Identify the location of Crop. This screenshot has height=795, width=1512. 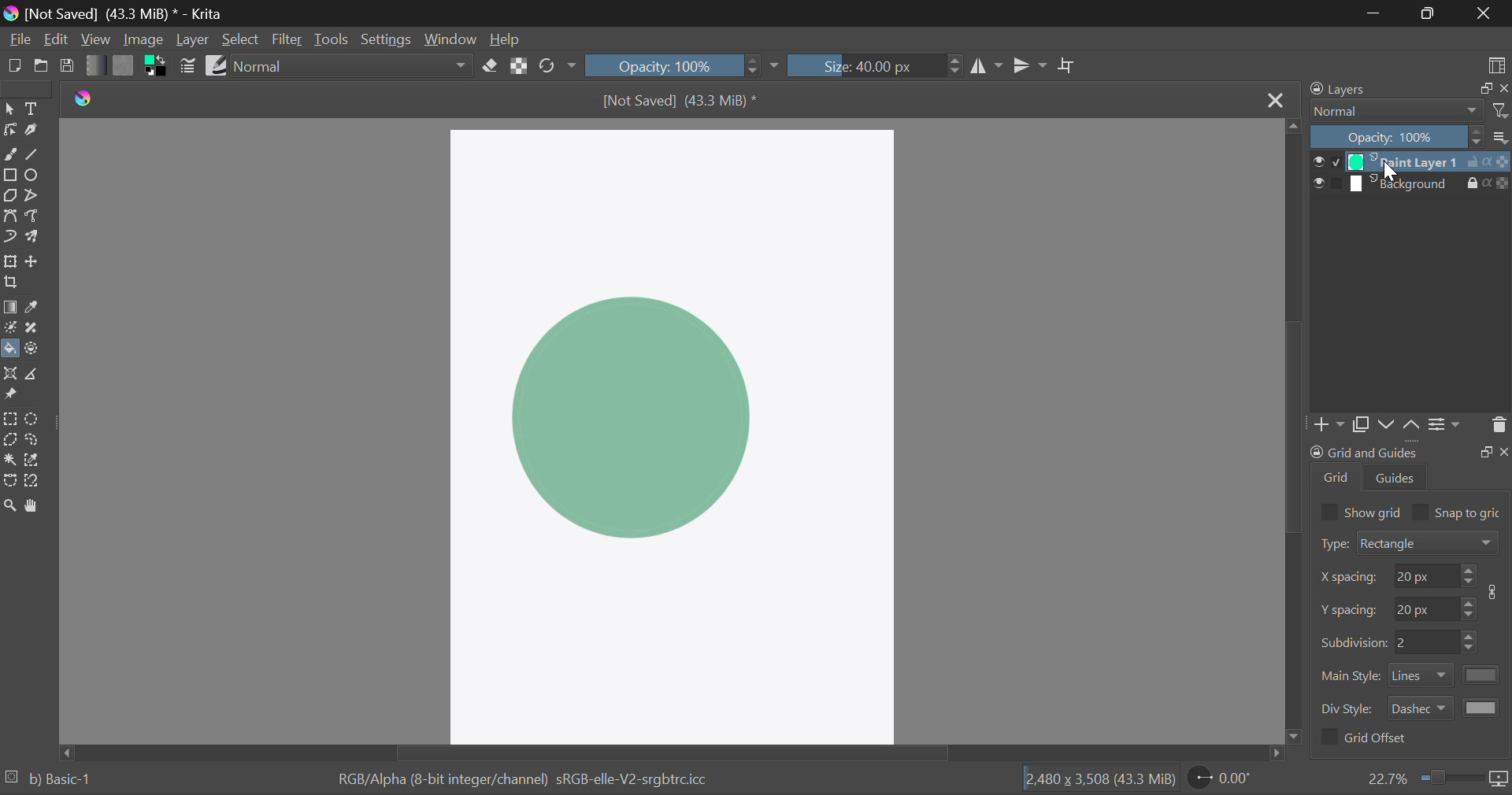
(9, 283).